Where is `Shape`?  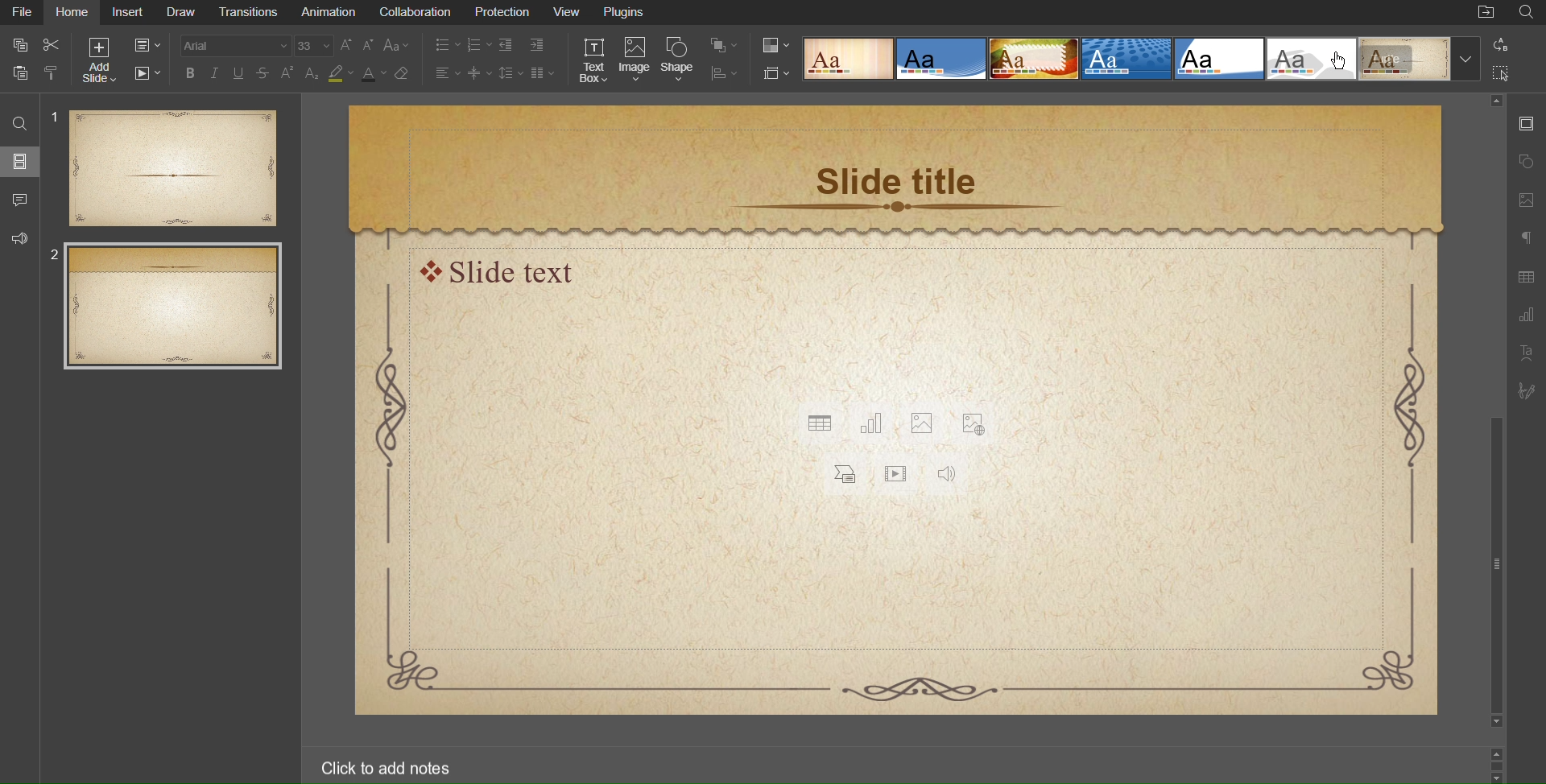 Shape is located at coordinates (678, 61).